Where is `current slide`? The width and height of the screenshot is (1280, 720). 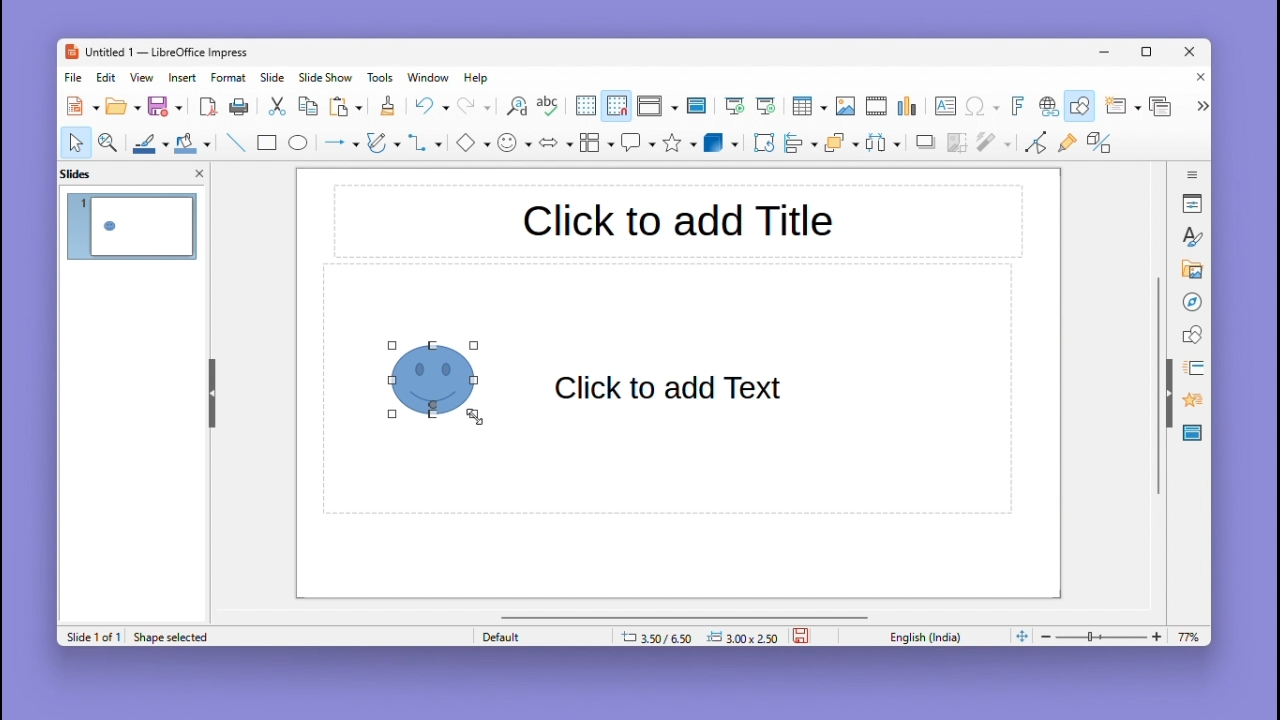
current slide is located at coordinates (133, 229).